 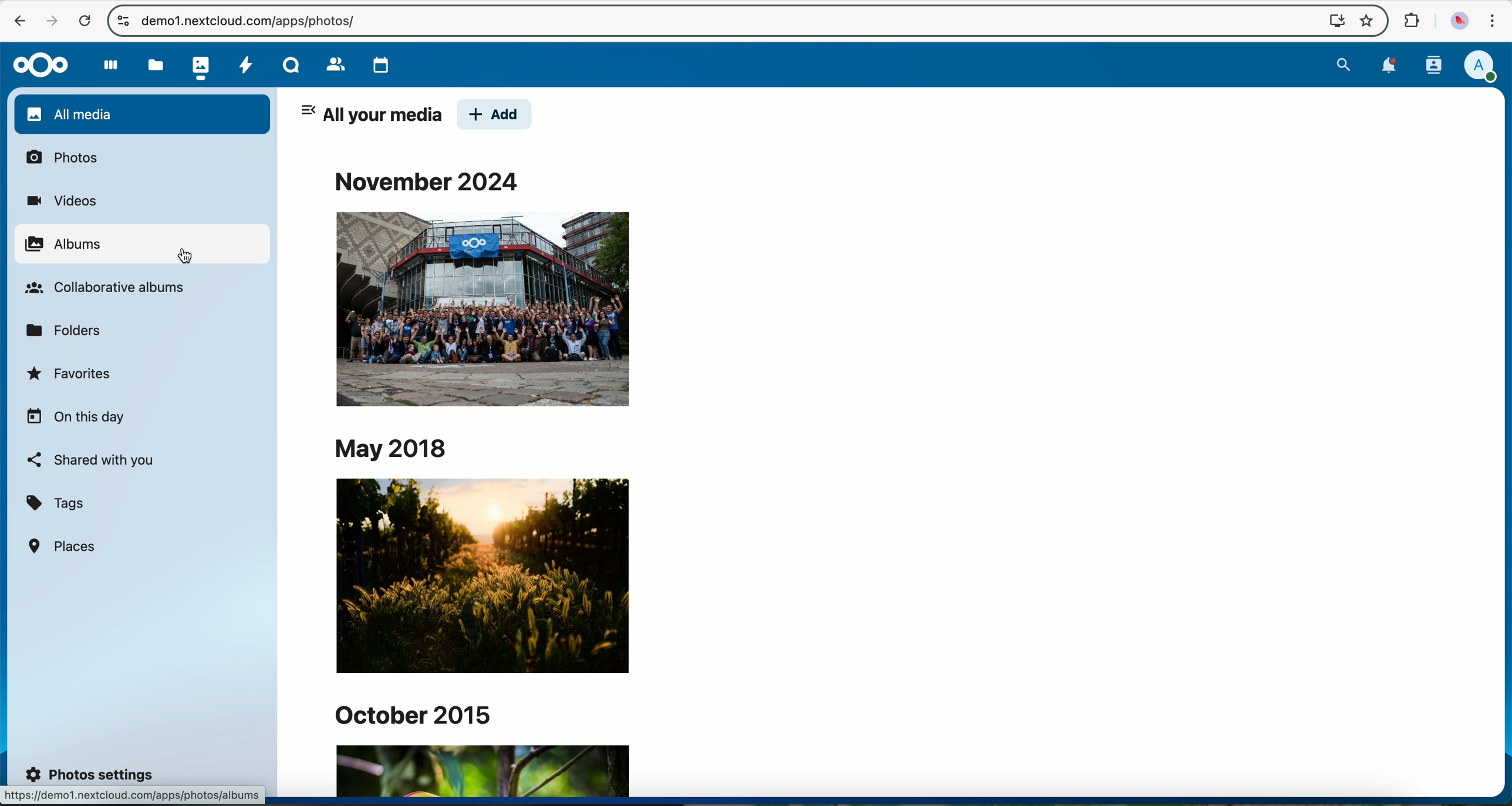 I want to click on activity, so click(x=245, y=63).